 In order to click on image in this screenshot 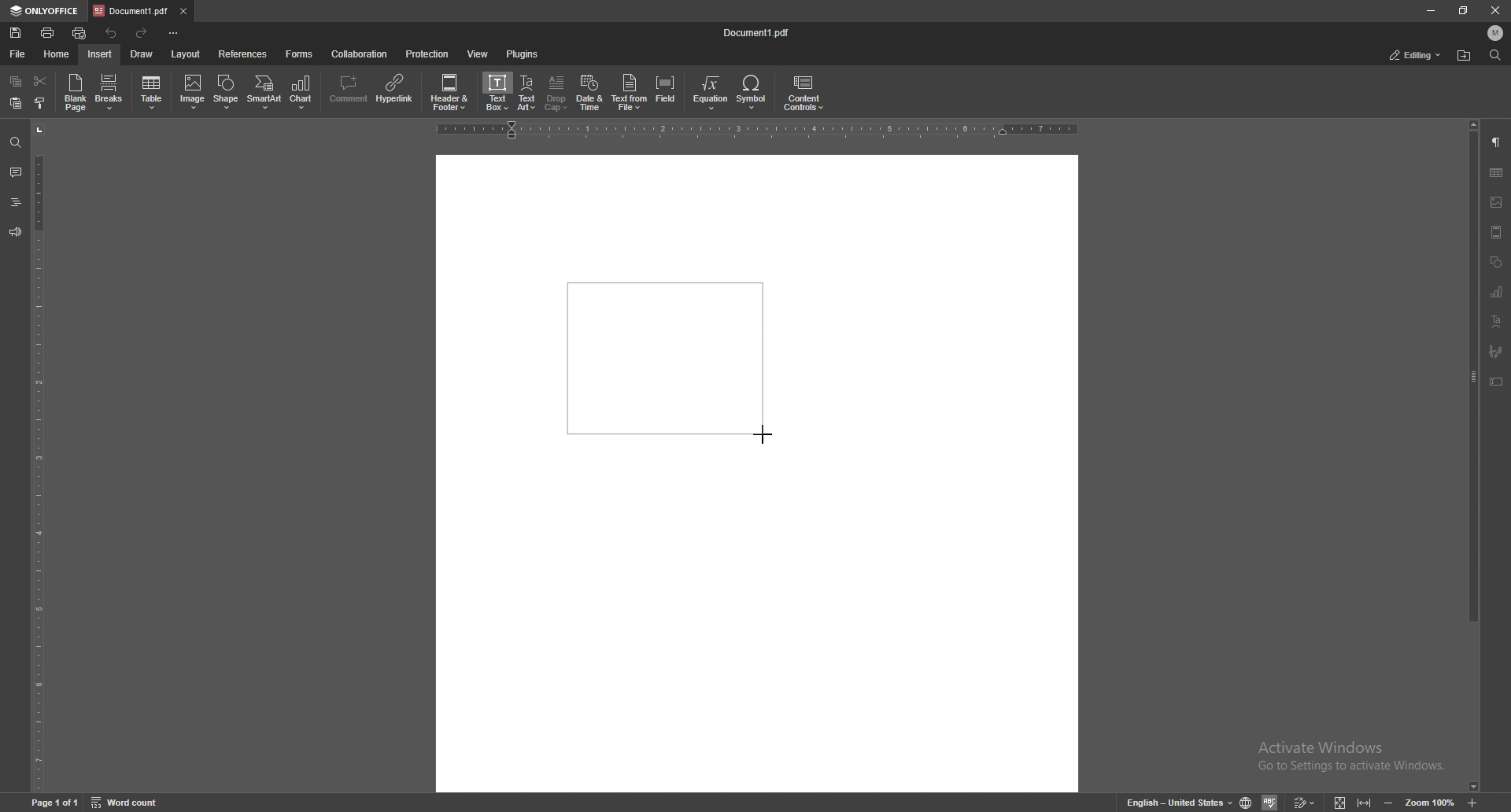, I will do `click(1498, 202)`.